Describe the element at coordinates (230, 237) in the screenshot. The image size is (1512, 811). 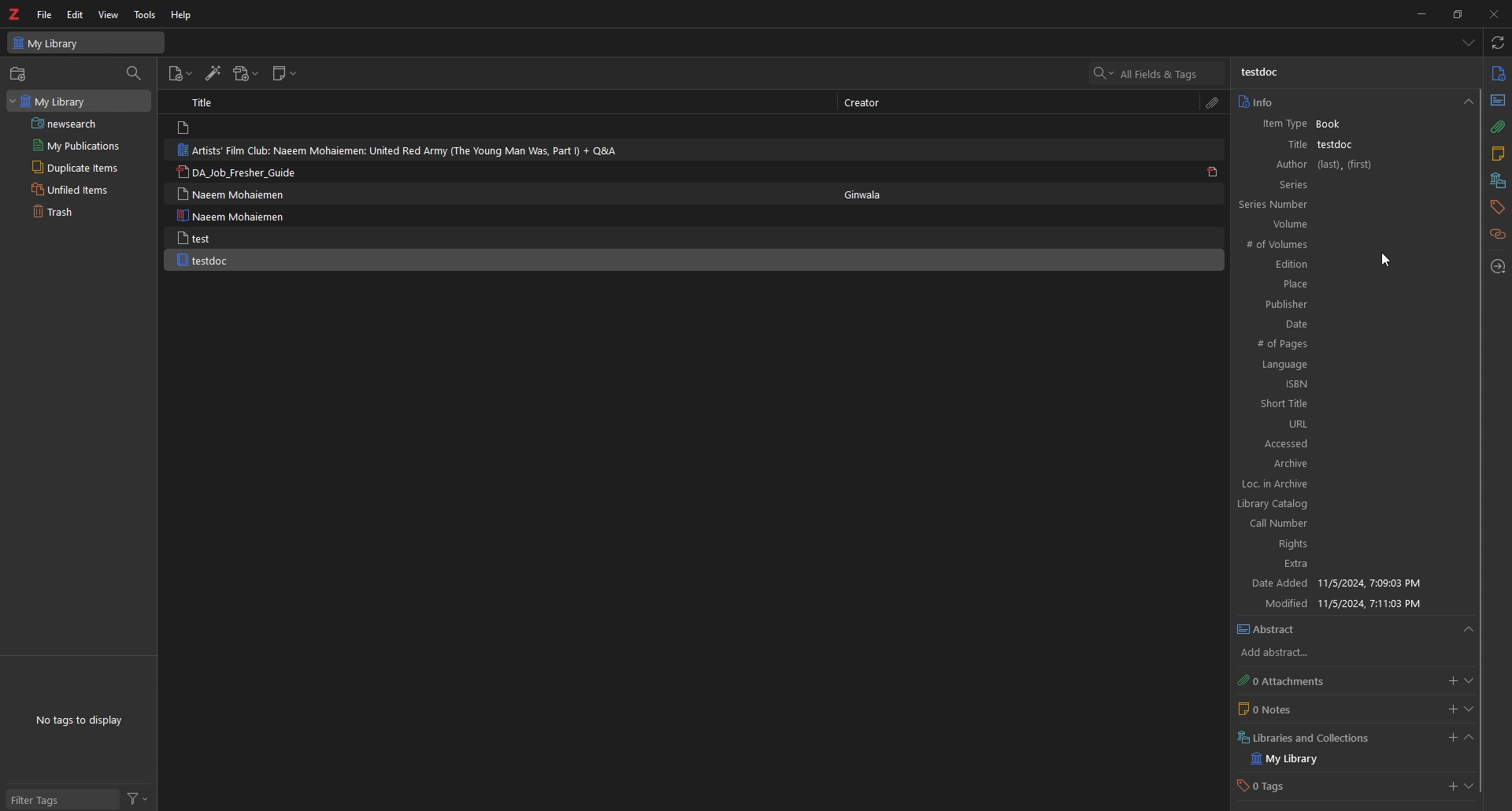
I see `test` at that location.